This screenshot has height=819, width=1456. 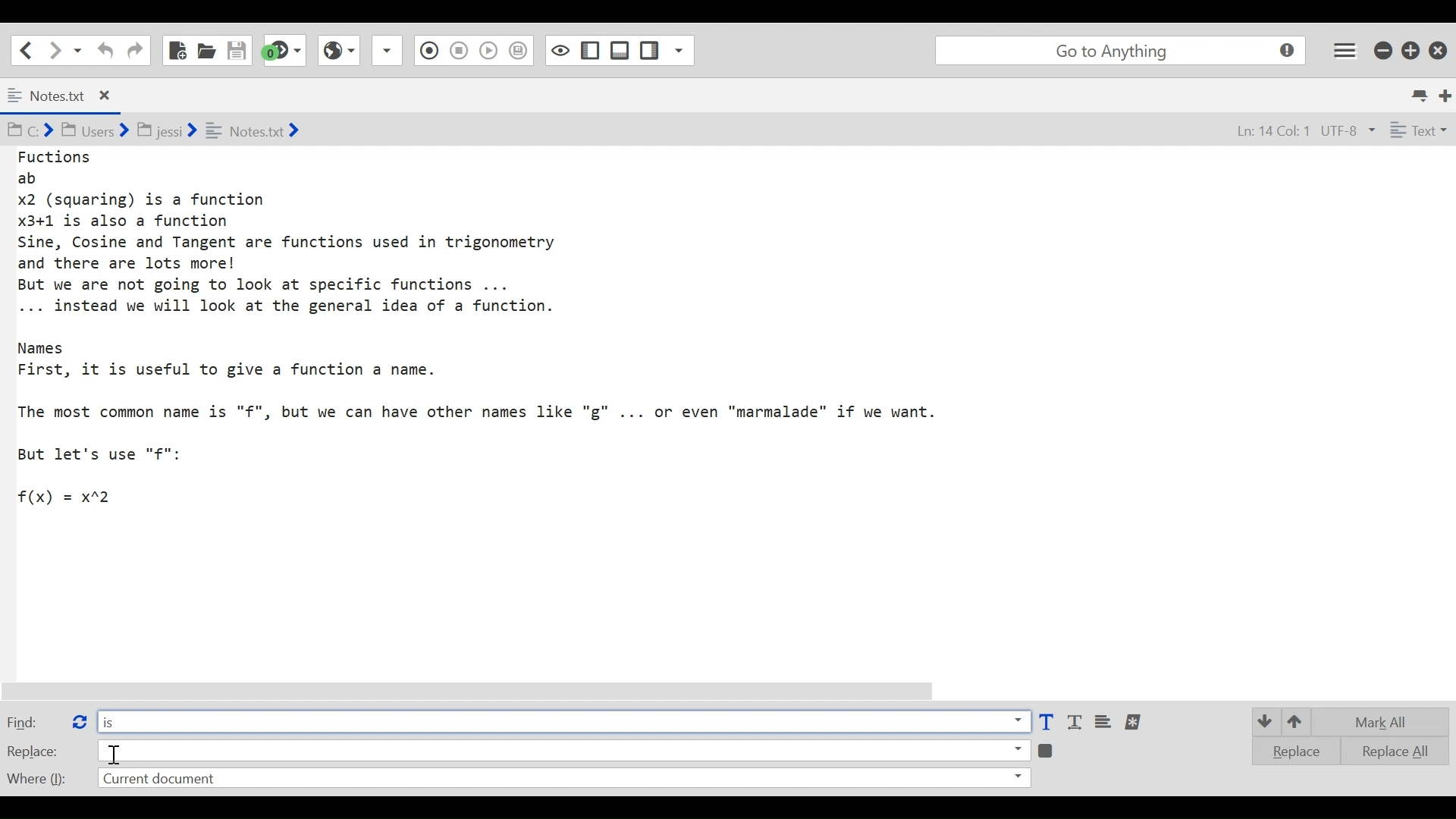 I want to click on Save File, so click(x=238, y=50).